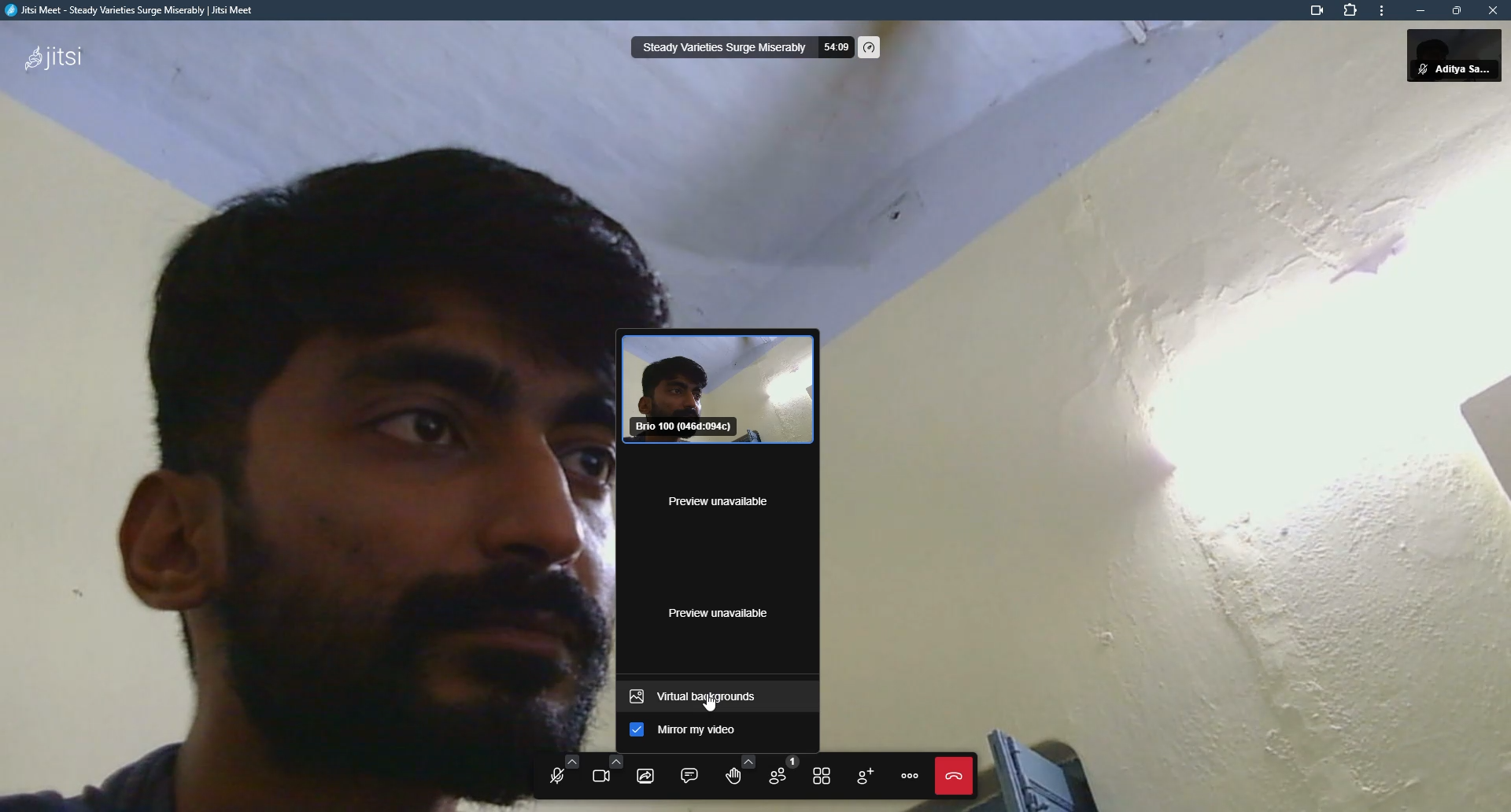 Image resolution: width=1511 pixels, height=812 pixels. Describe the element at coordinates (732, 771) in the screenshot. I see `raise your hand` at that location.